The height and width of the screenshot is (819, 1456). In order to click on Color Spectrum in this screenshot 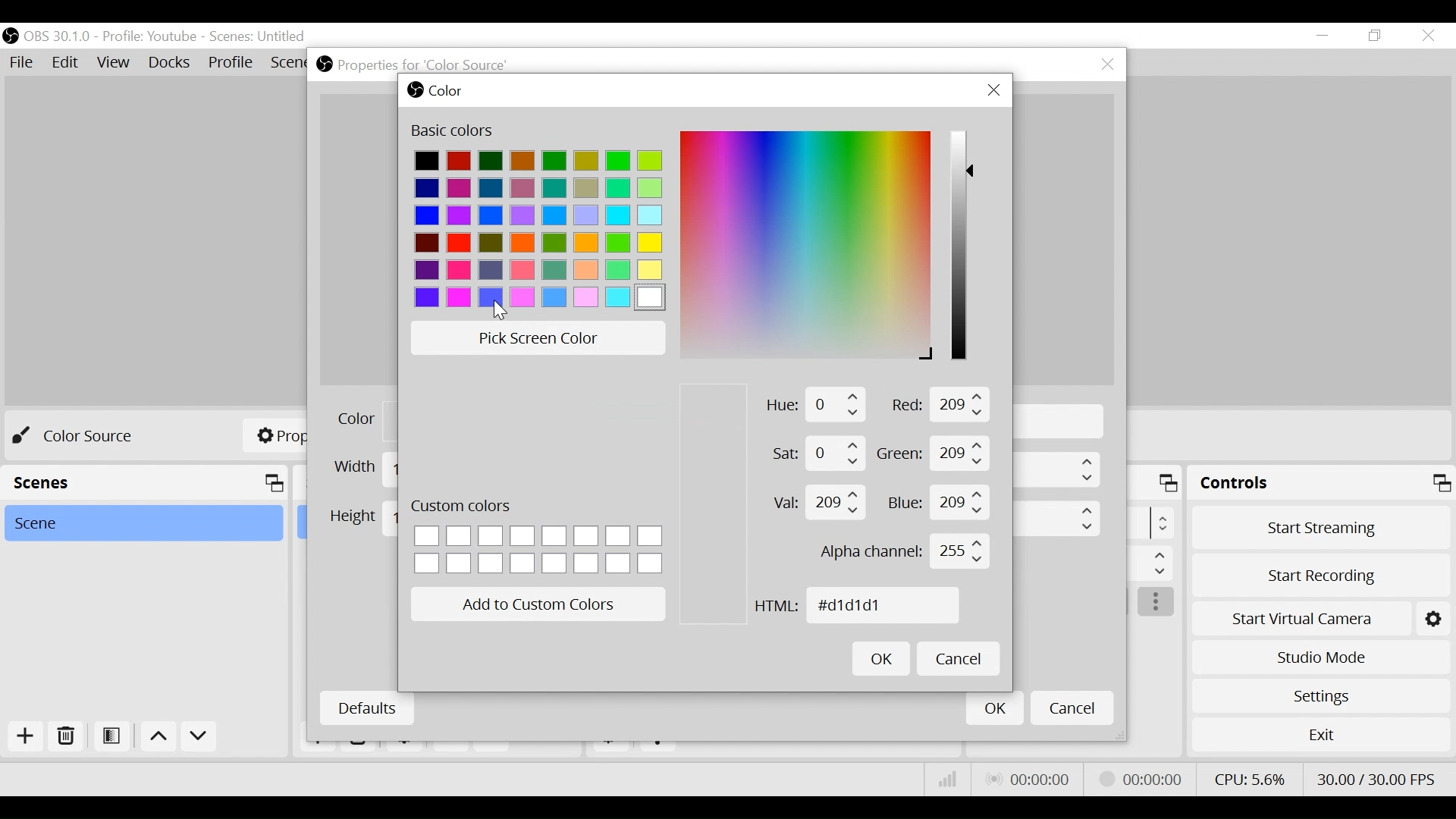, I will do `click(805, 243)`.